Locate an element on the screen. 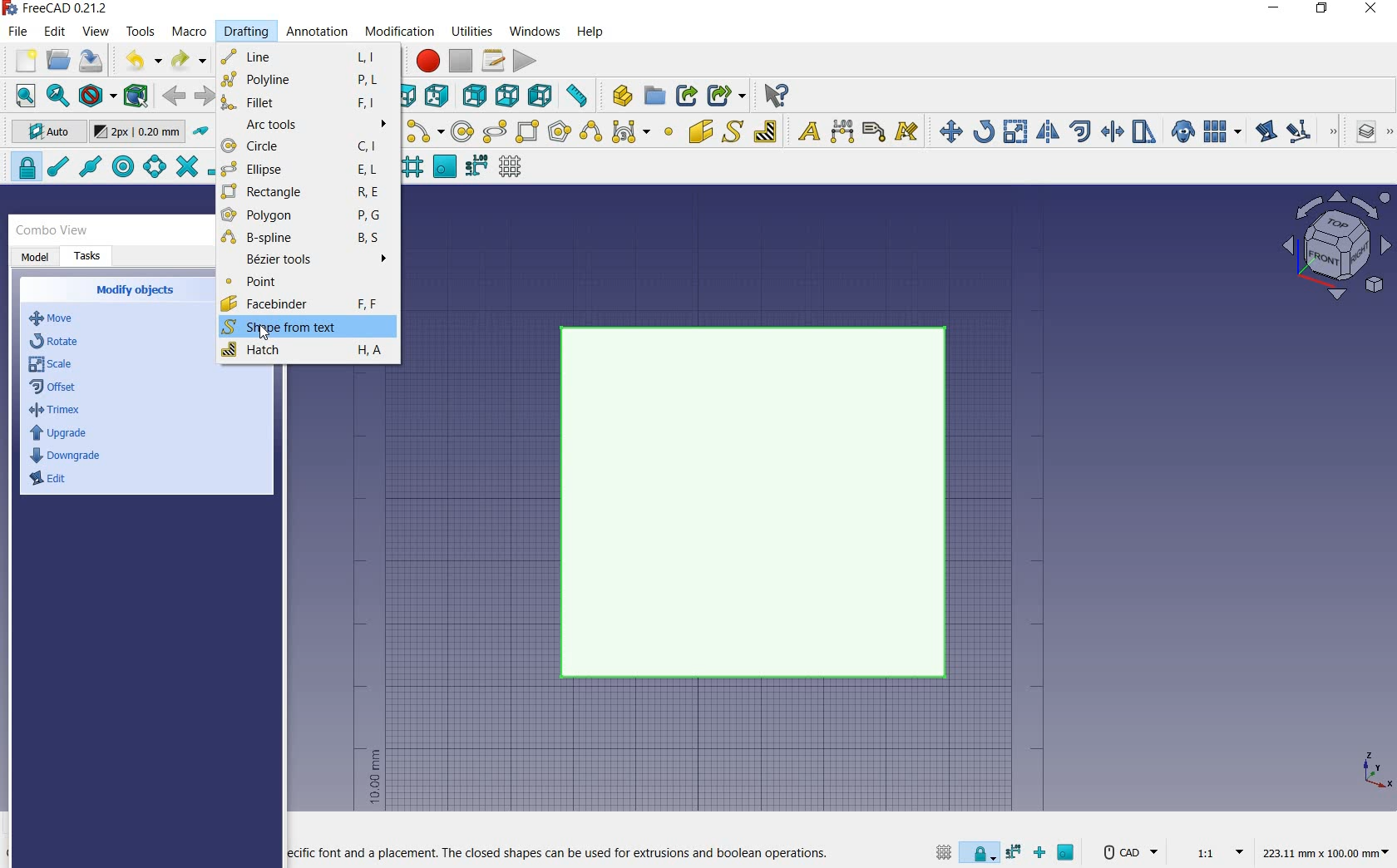 This screenshot has width=1397, height=868. view is located at coordinates (96, 32).